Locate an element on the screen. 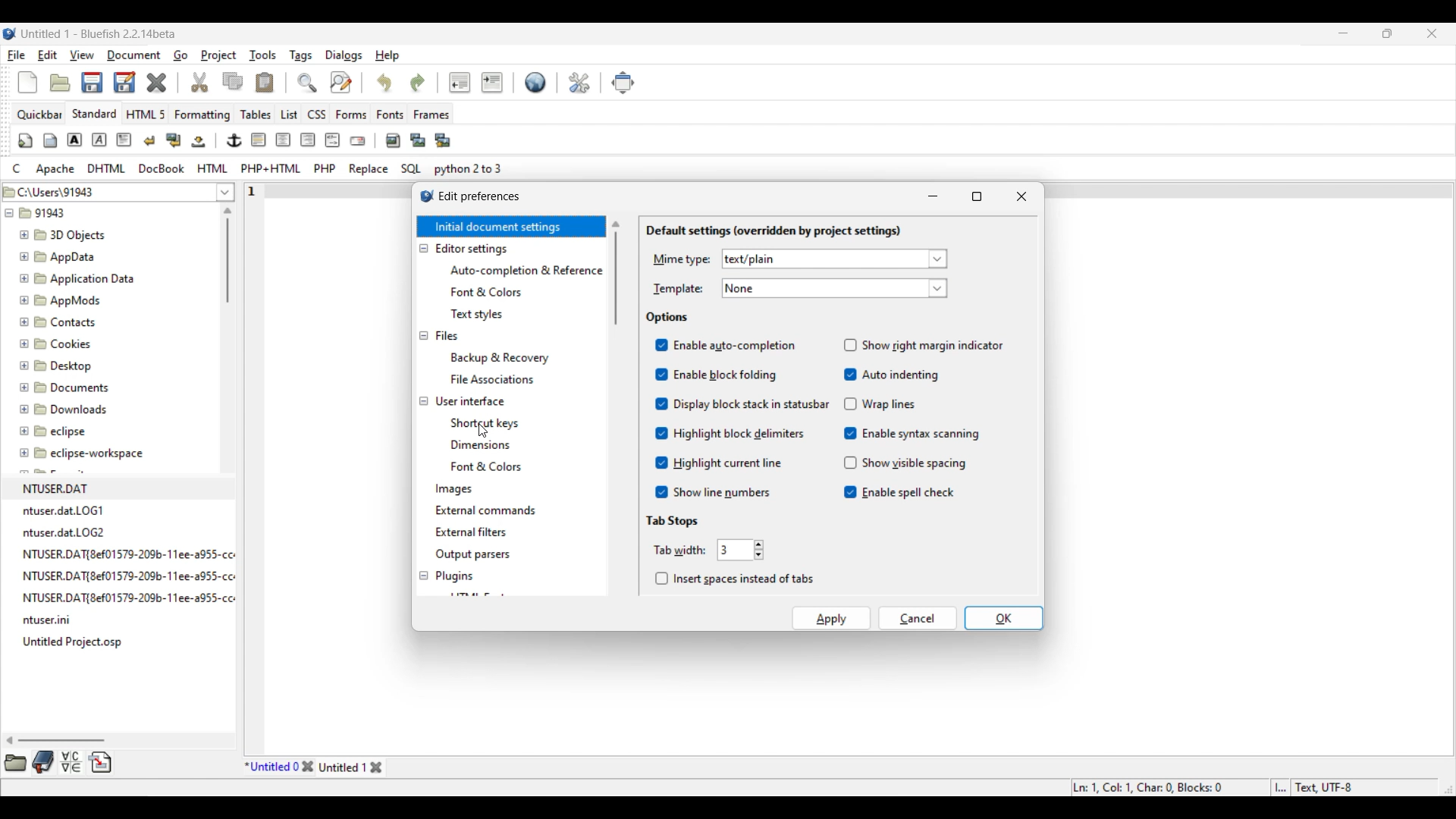  ntuser.ini is located at coordinates (52, 622).